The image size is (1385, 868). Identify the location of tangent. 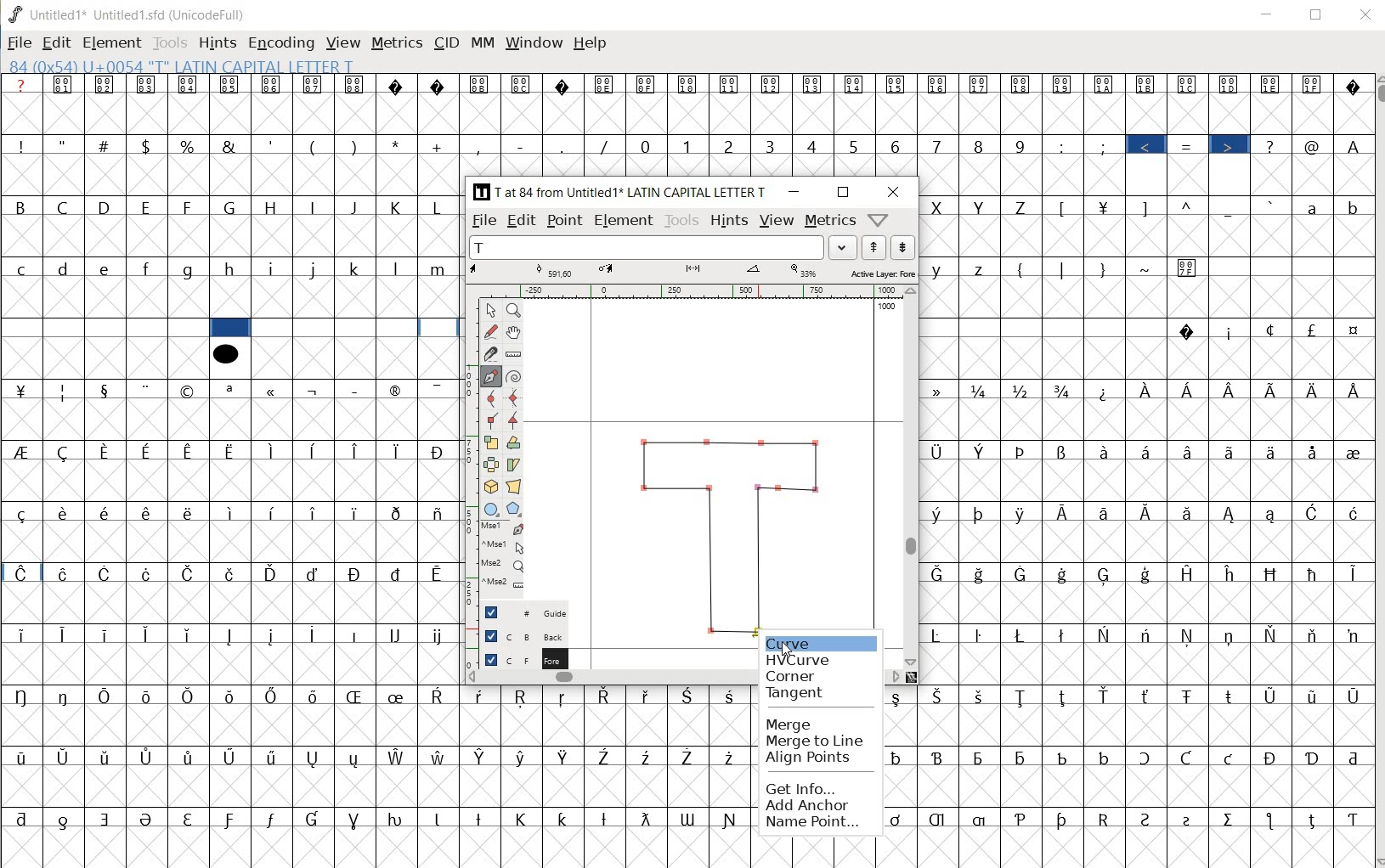
(806, 696).